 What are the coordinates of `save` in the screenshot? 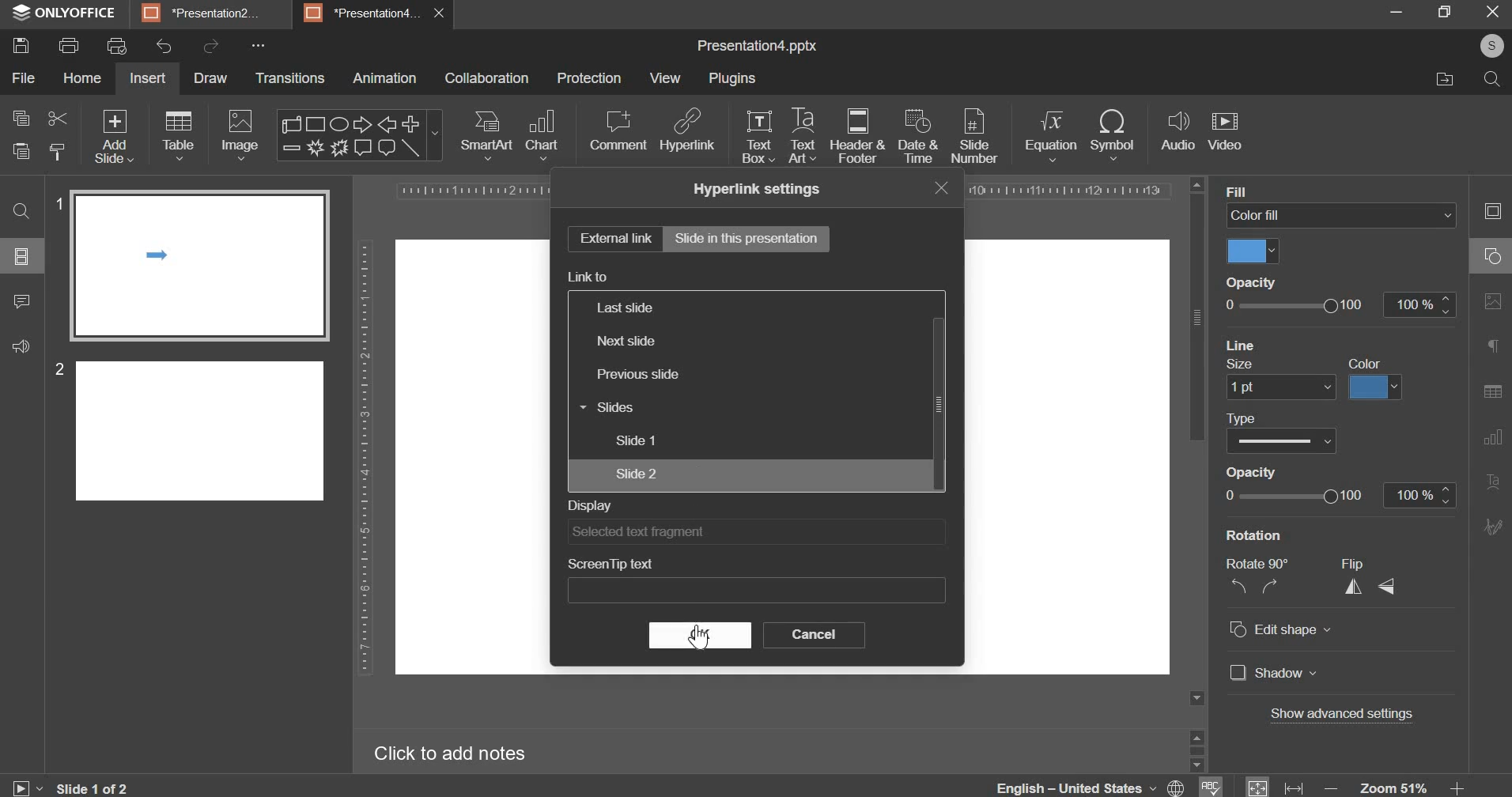 It's located at (24, 47).